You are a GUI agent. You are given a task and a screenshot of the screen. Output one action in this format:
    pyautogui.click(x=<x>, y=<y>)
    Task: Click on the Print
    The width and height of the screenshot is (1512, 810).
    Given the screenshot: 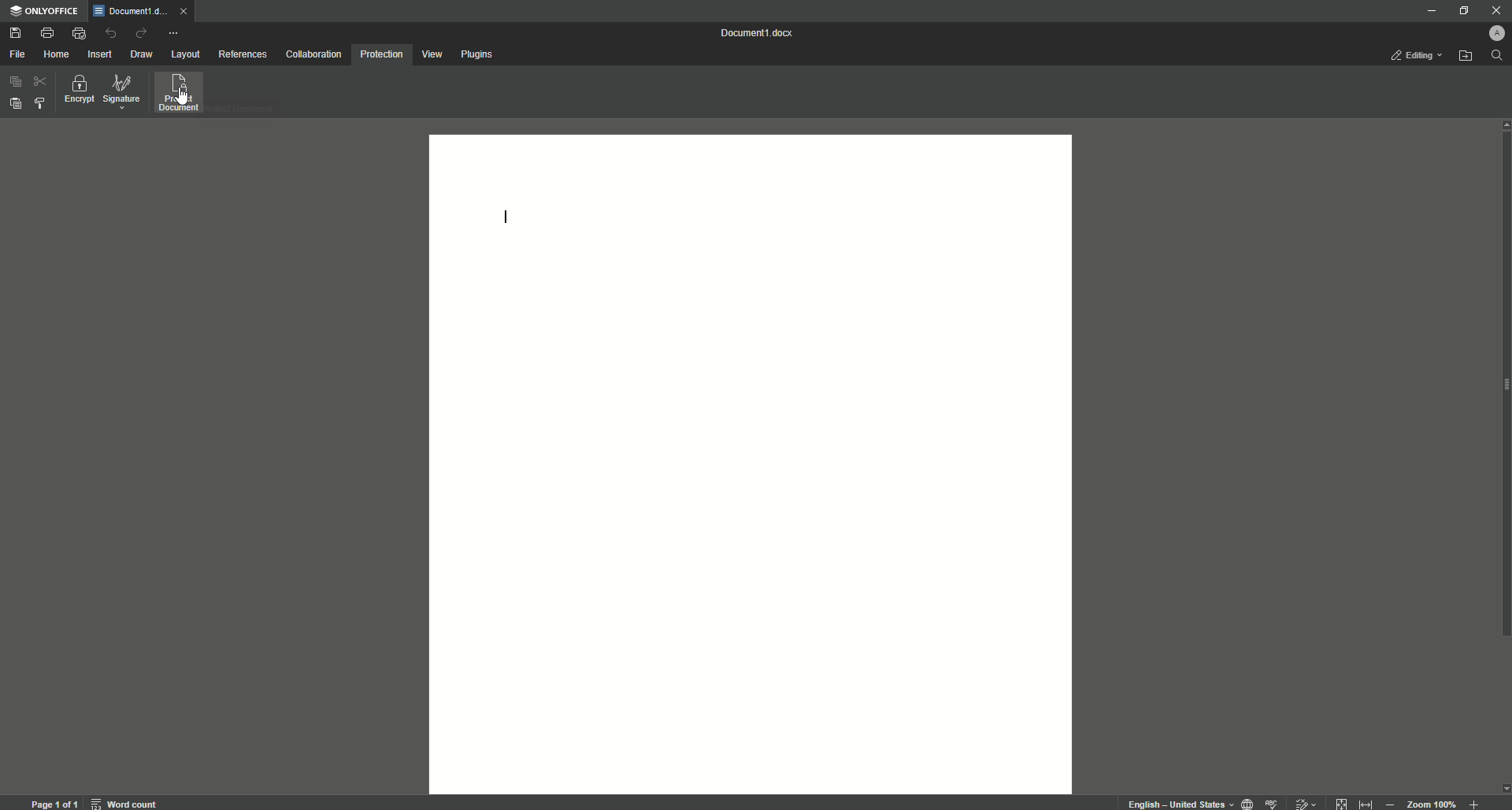 What is the action you would take?
    pyautogui.click(x=47, y=32)
    